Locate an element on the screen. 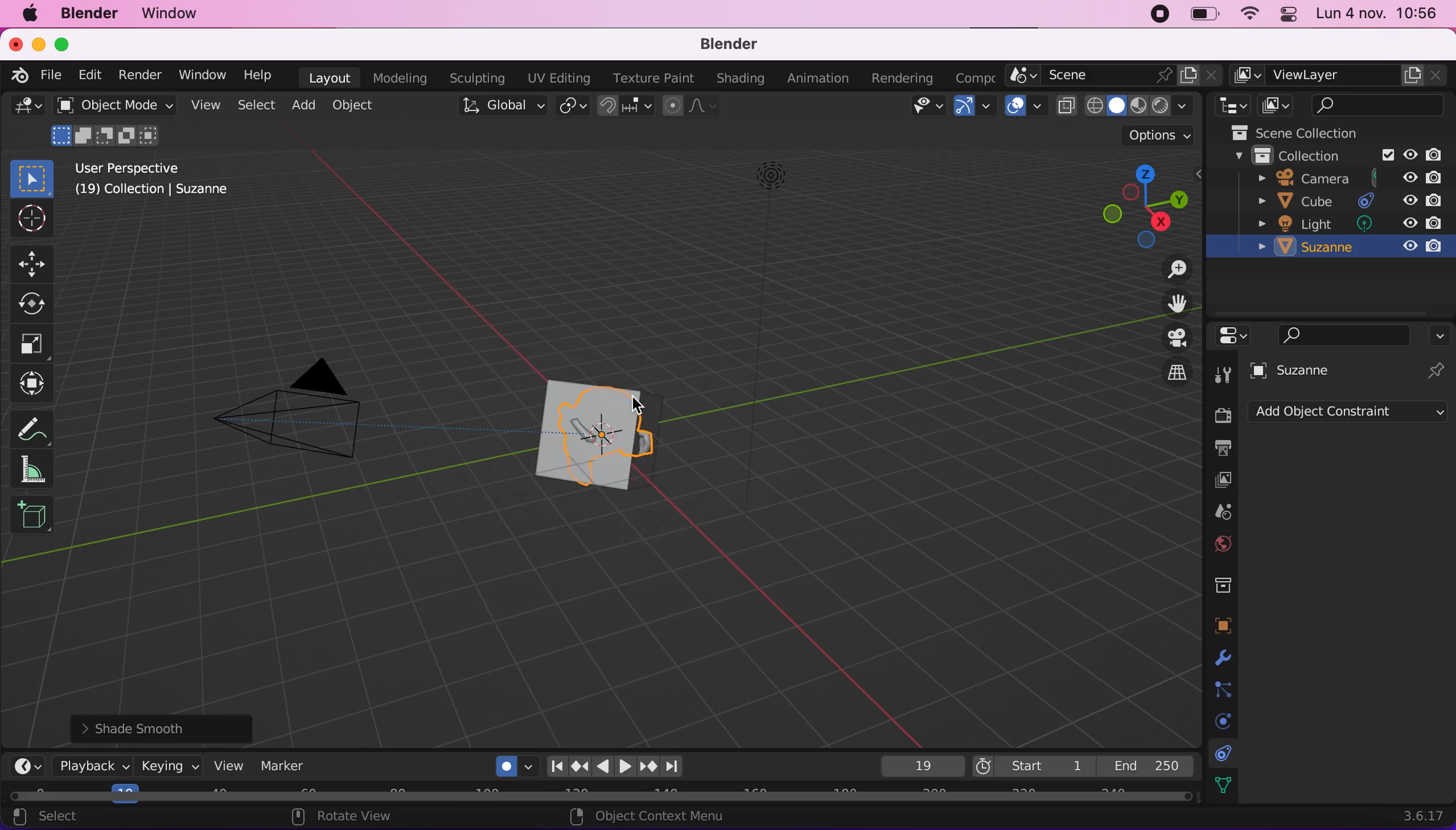 The width and height of the screenshot is (1456, 830). minimize is located at coordinates (39, 43).